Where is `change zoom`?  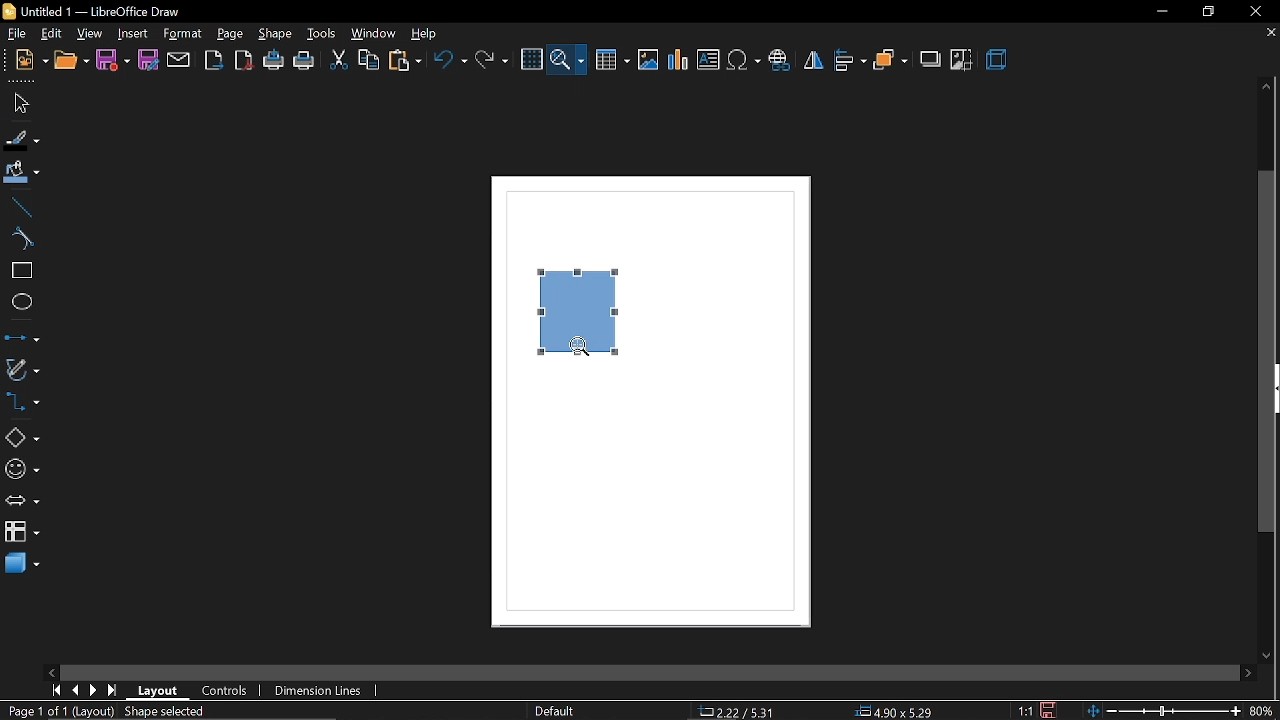 change zoom is located at coordinates (1163, 712).